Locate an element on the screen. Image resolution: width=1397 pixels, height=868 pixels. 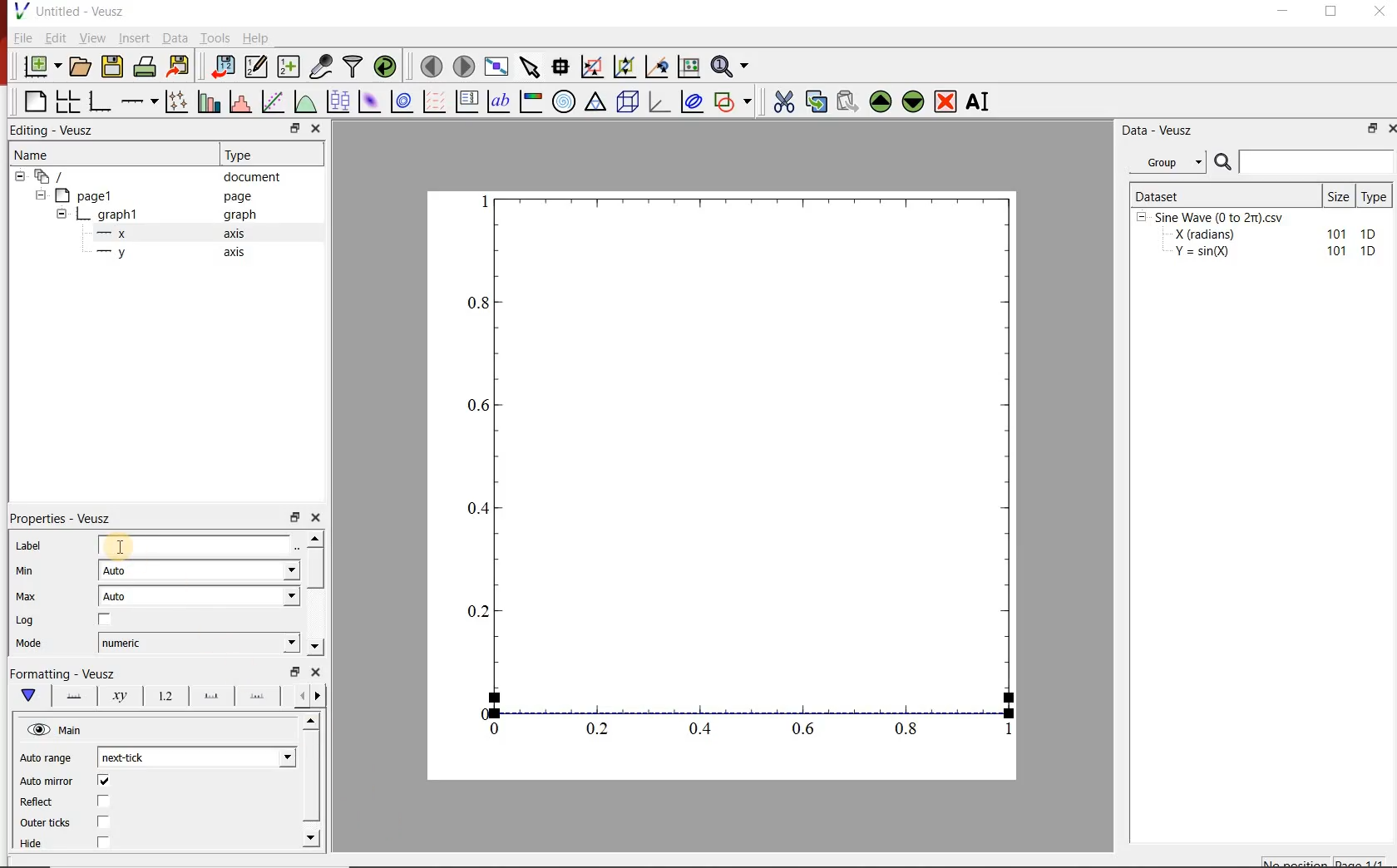
scrollbar is located at coordinates (317, 570).